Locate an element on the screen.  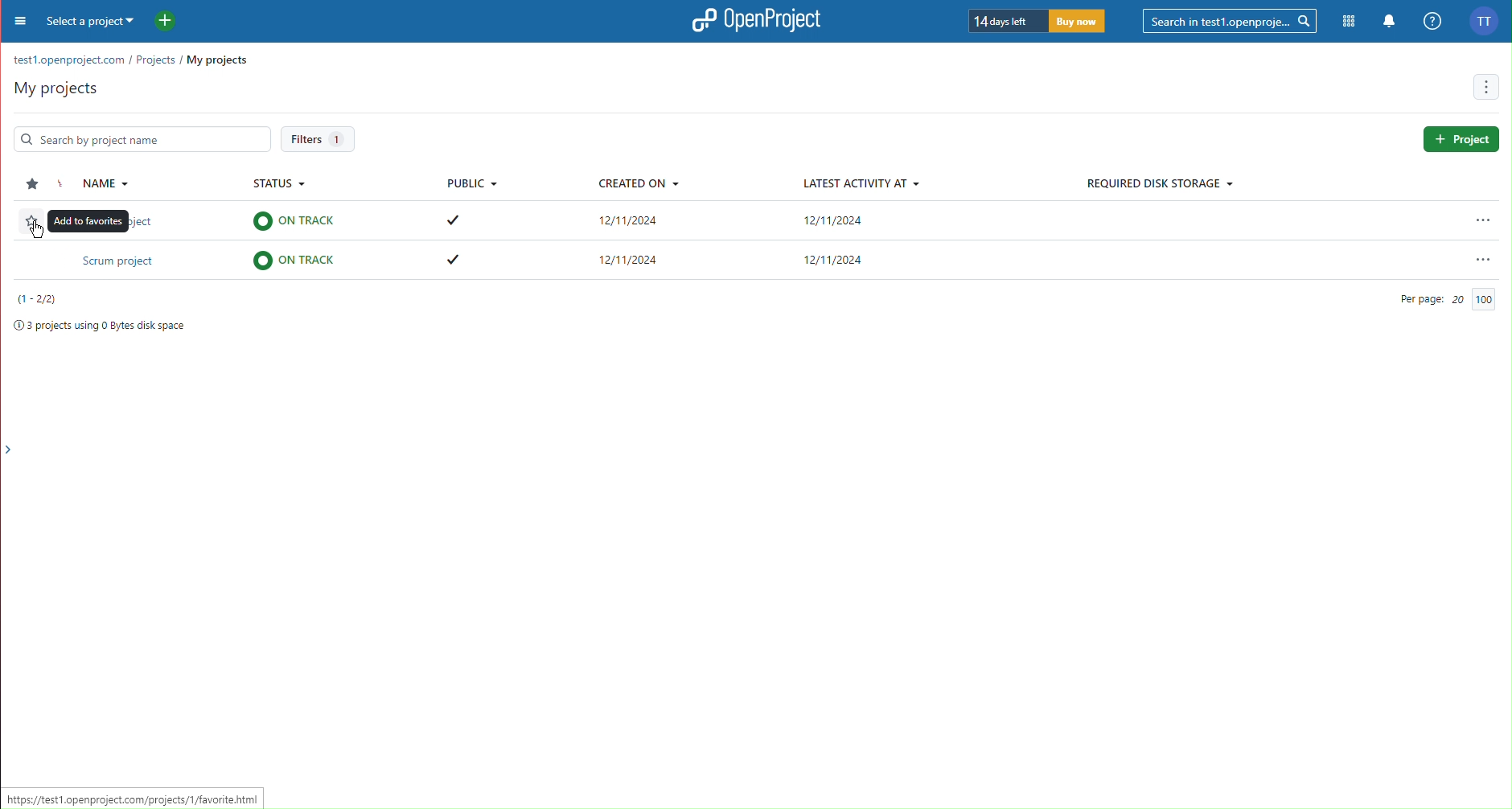
OpenProject is located at coordinates (759, 21).